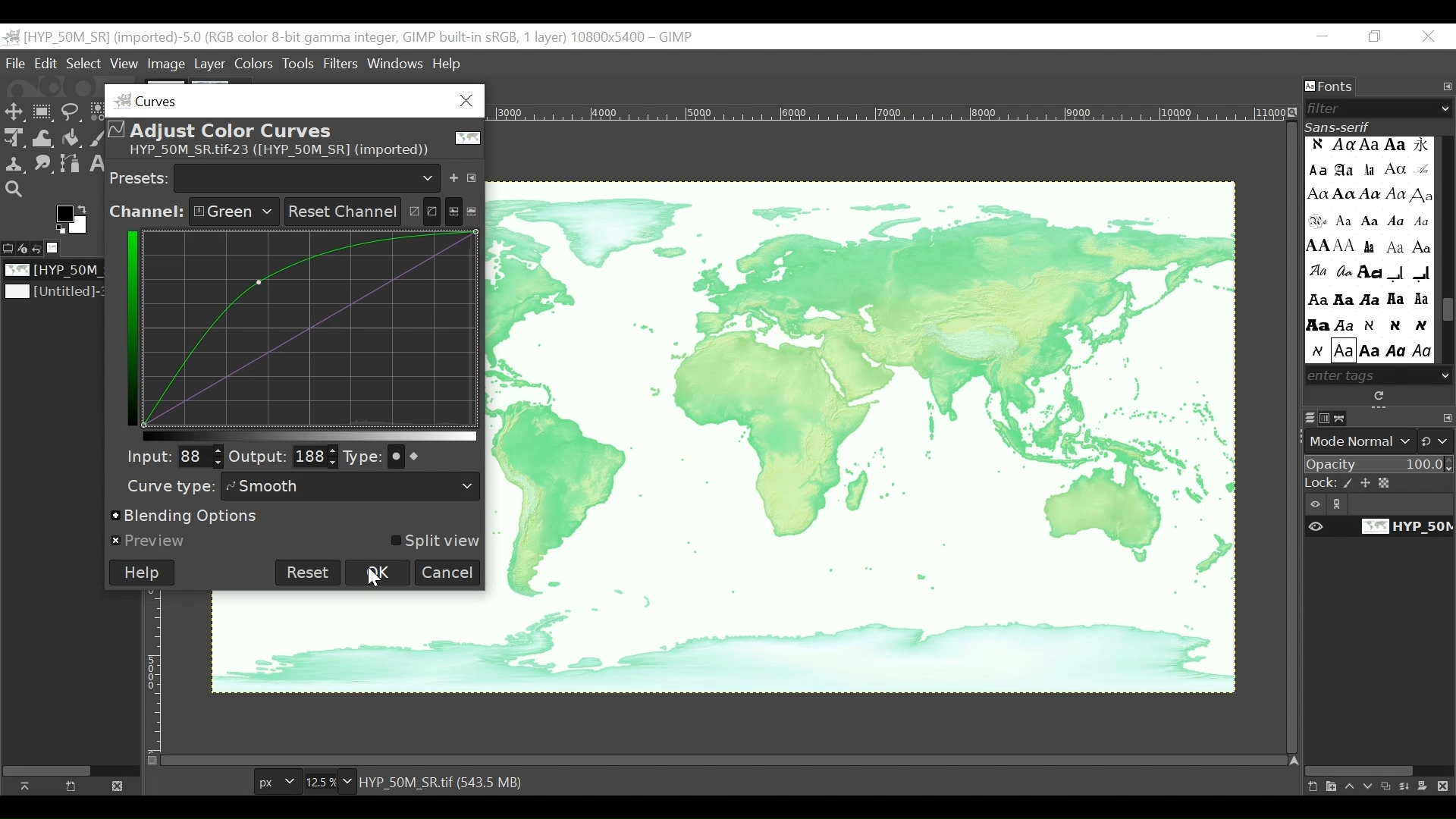 This screenshot has width=1456, height=819. Describe the element at coordinates (310, 436) in the screenshot. I see `Horizontal Gradient bar` at that location.